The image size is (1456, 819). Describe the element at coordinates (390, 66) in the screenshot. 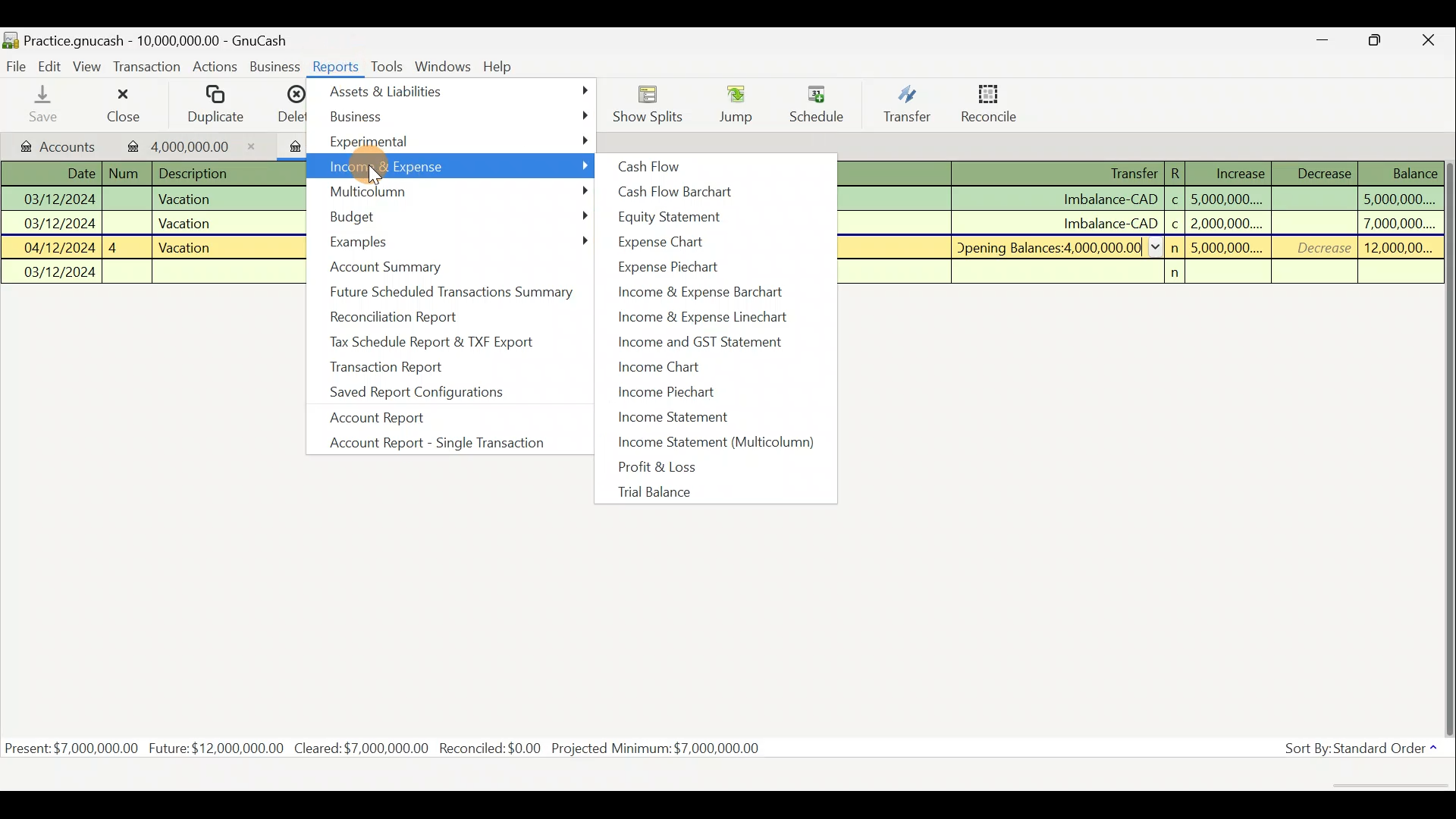

I see `Tools` at that location.